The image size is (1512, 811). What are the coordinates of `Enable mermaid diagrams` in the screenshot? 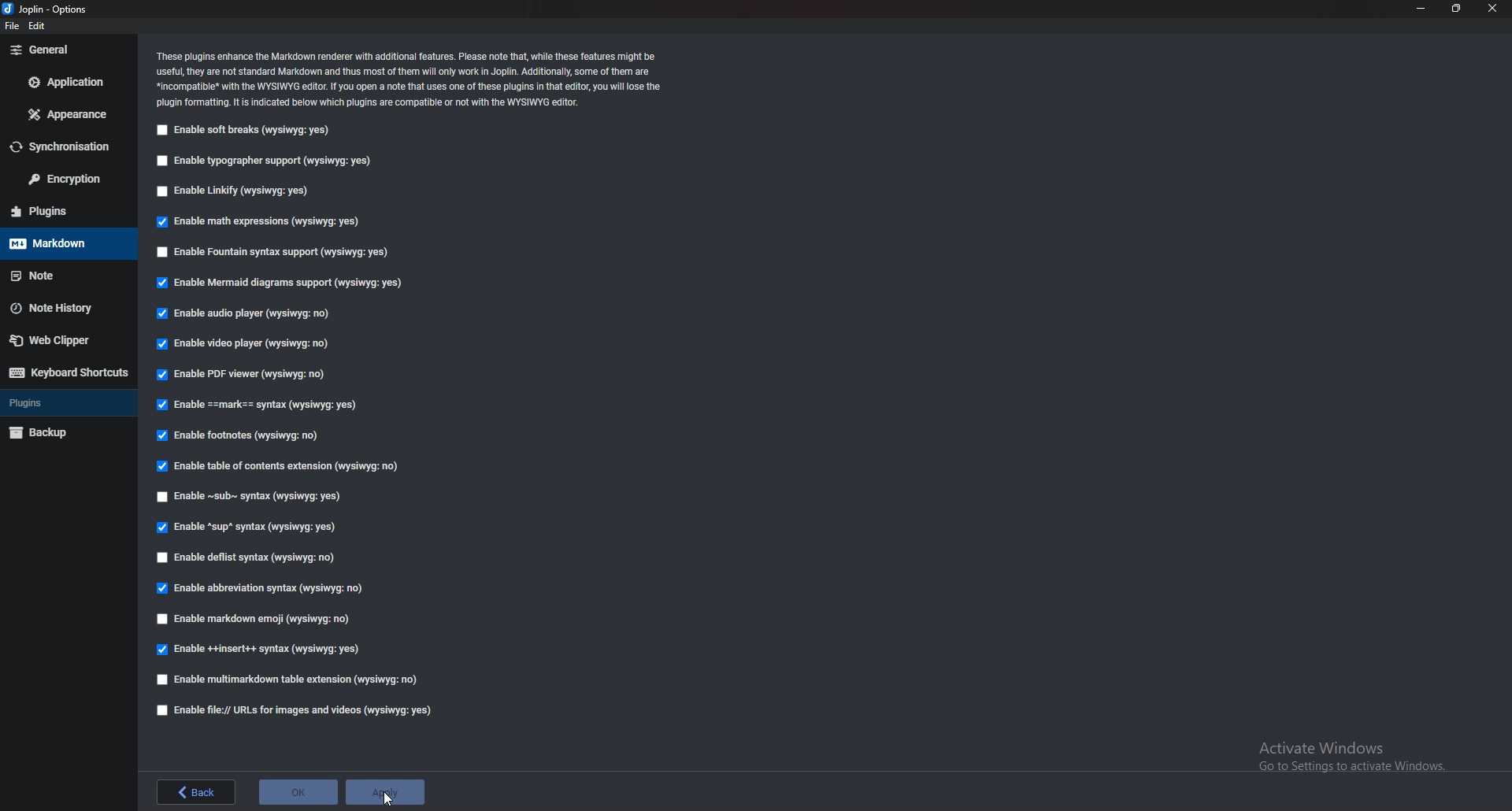 It's located at (283, 284).